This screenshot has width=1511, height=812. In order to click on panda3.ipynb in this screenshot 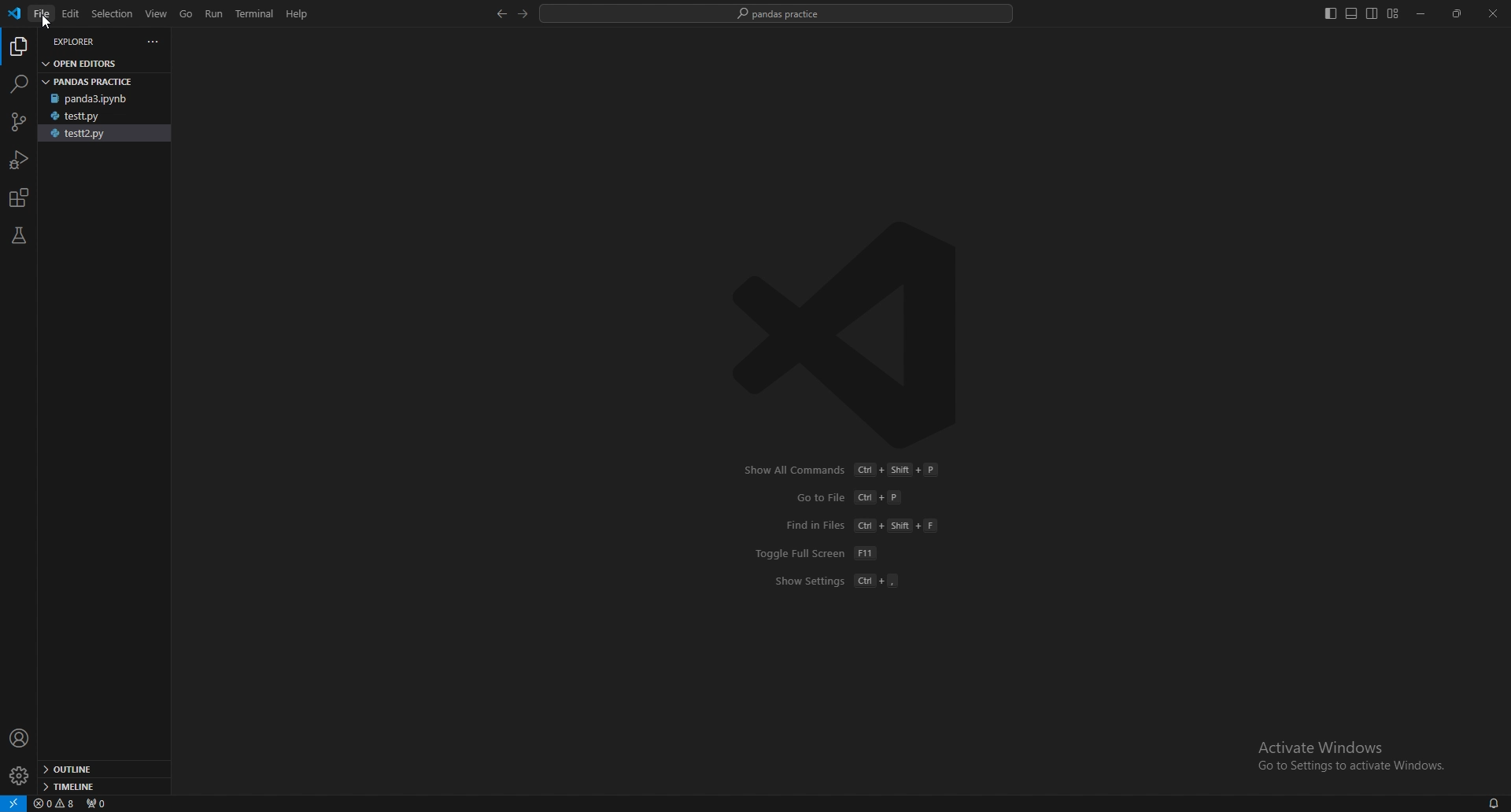, I will do `click(99, 98)`.